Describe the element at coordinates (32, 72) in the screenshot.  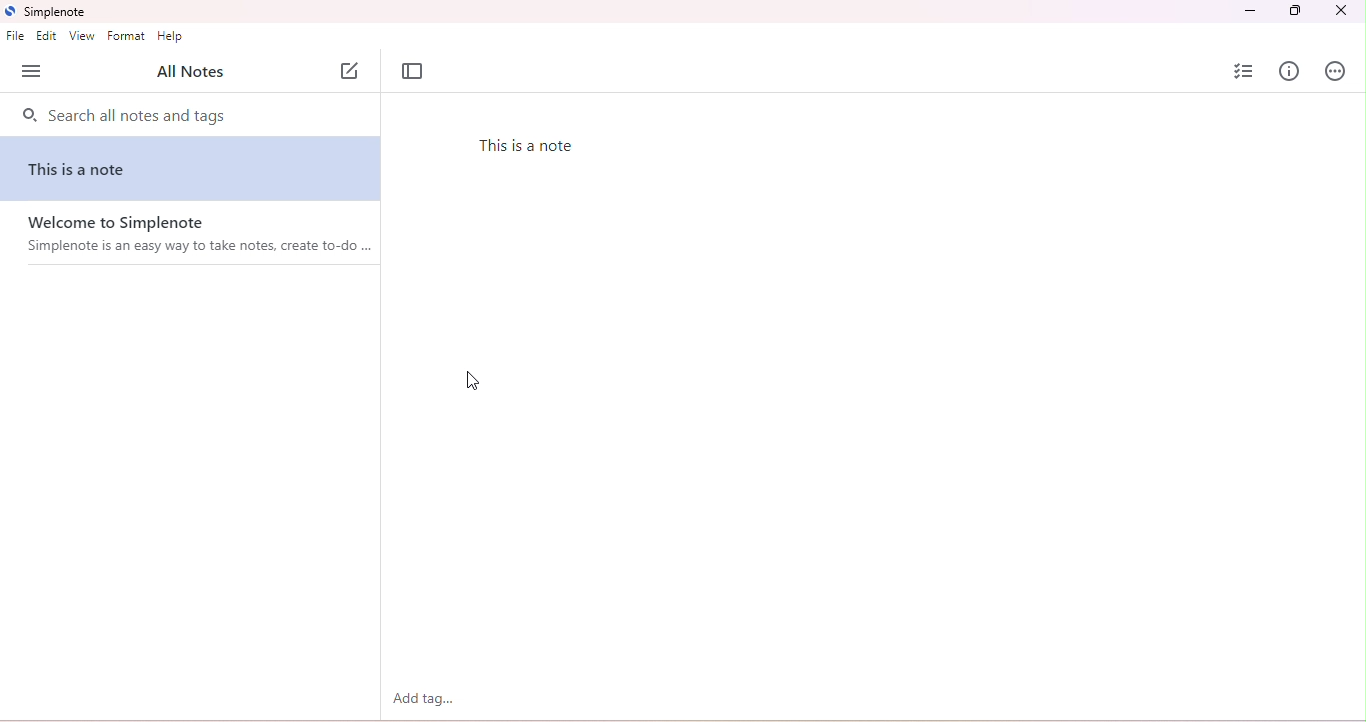
I see `menu` at that location.